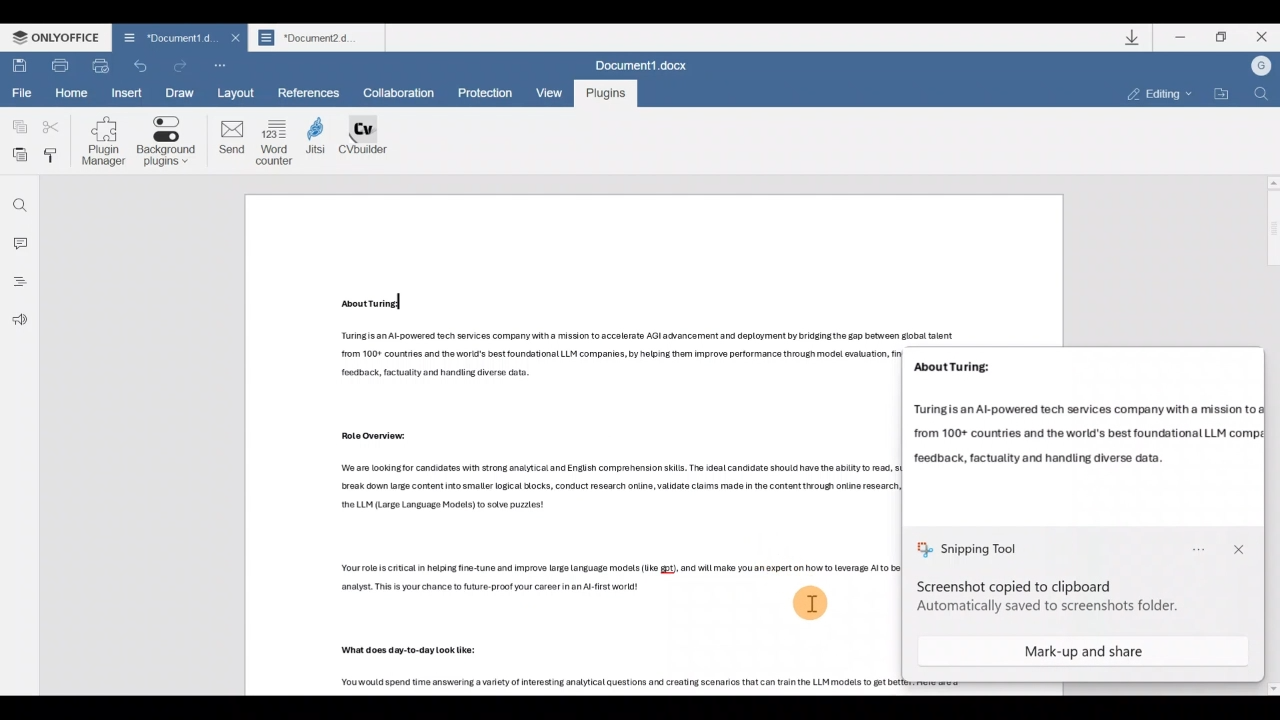 This screenshot has height=720, width=1280. I want to click on , so click(377, 304).